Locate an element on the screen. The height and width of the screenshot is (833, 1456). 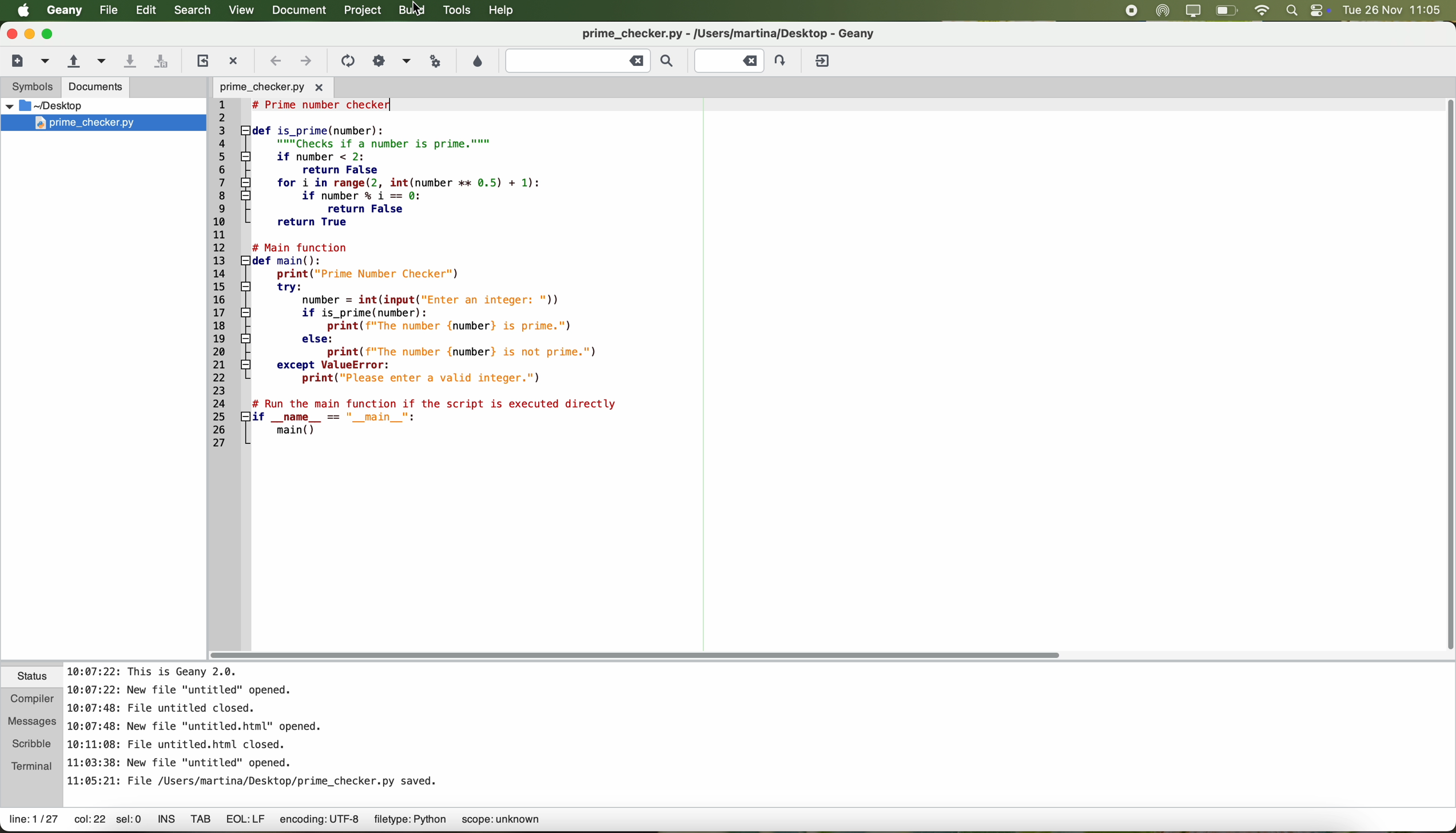
screen is located at coordinates (1193, 11).